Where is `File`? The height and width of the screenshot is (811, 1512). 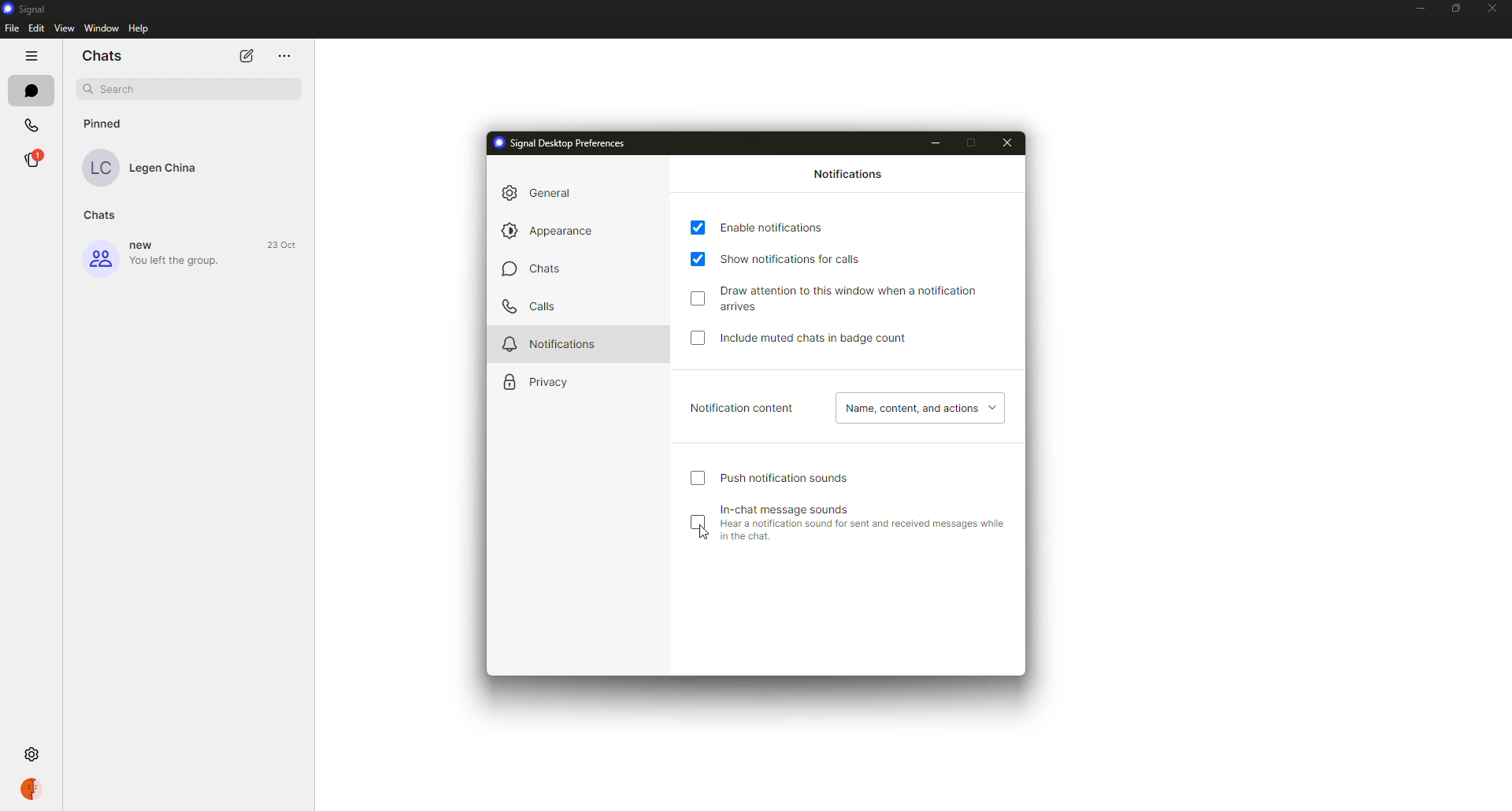
File is located at coordinates (13, 28).